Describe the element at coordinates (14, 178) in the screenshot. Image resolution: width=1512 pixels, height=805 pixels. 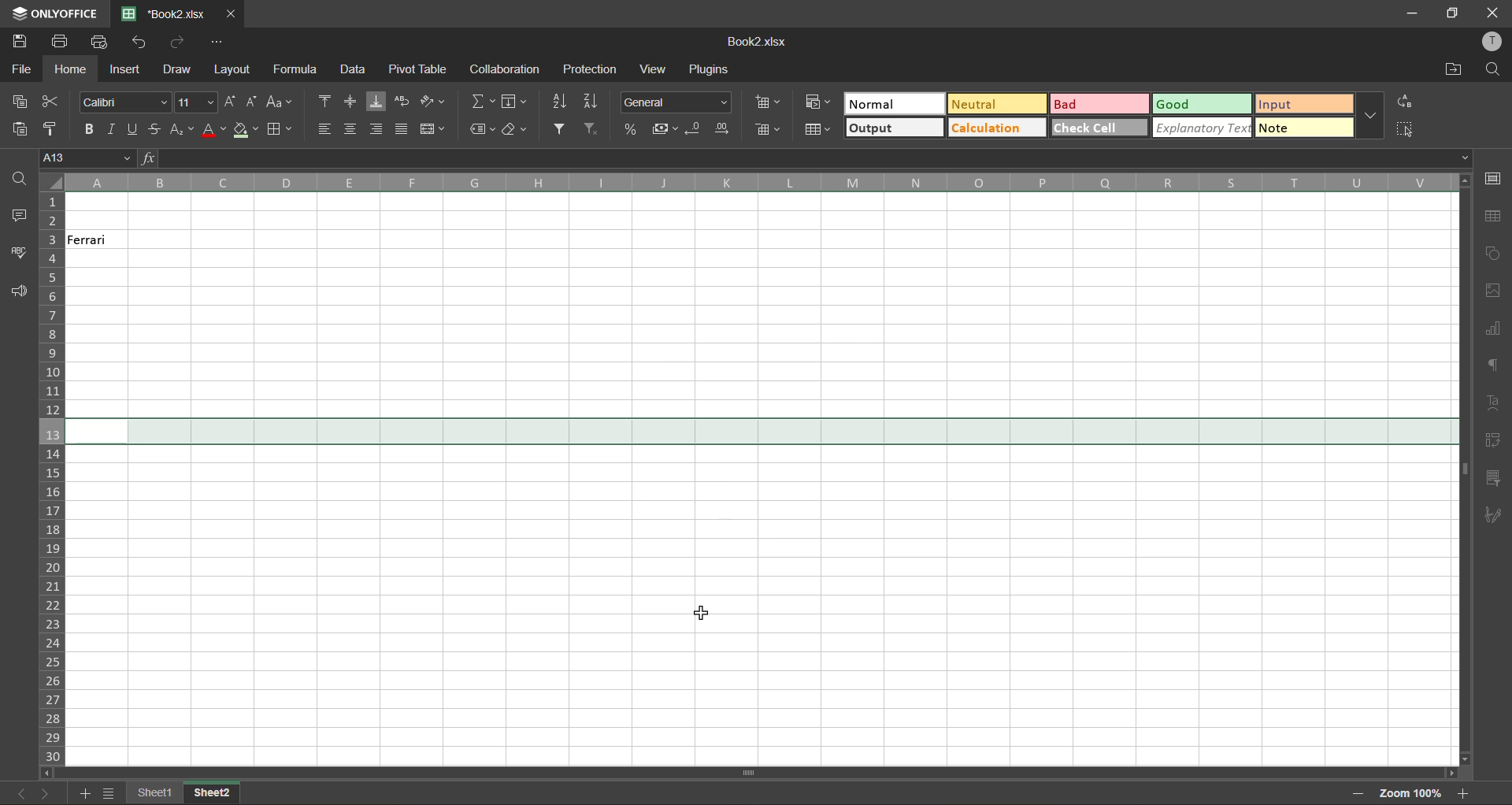
I see `find` at that location.